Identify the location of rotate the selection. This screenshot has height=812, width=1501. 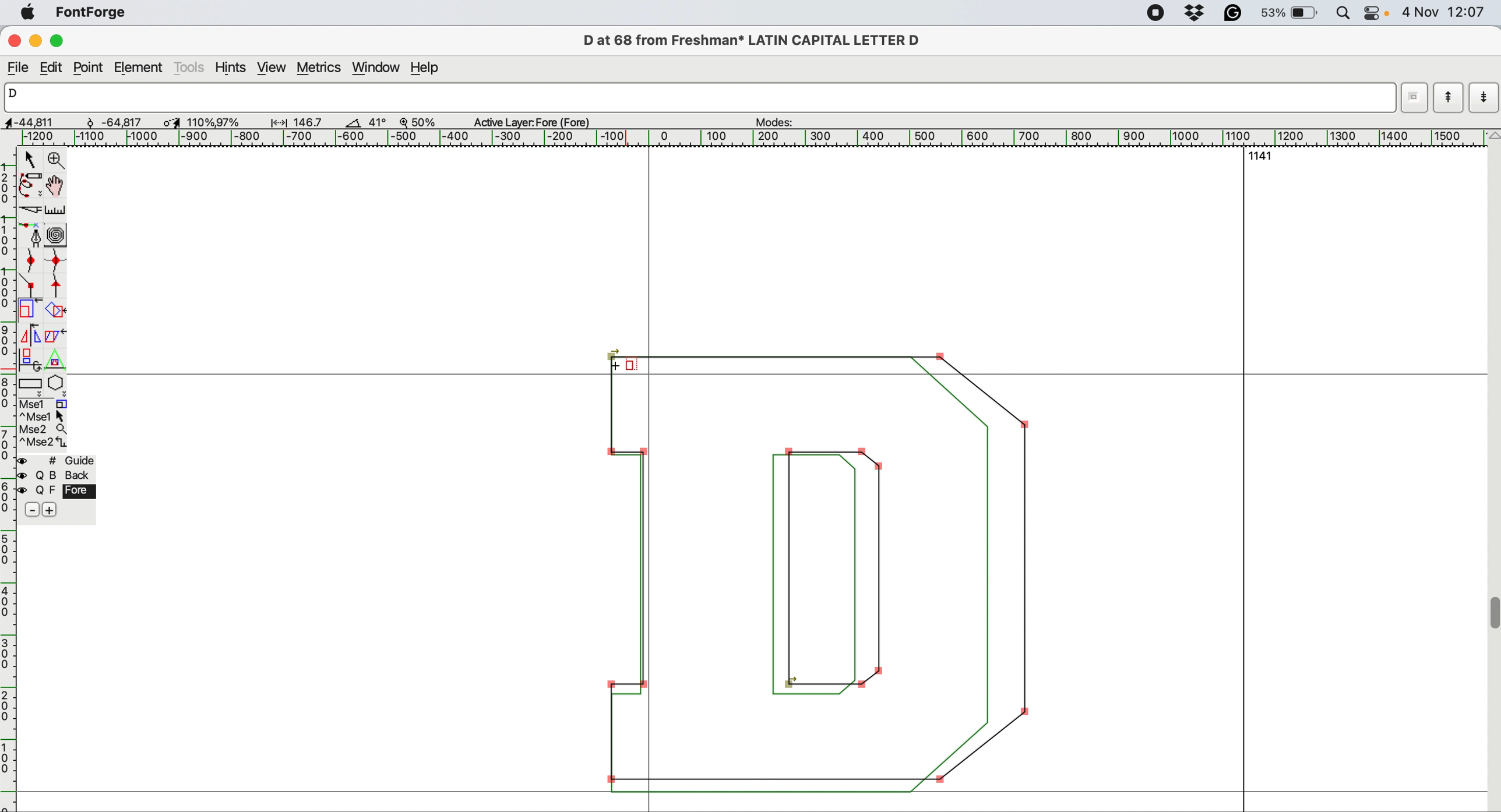
(54, 312).